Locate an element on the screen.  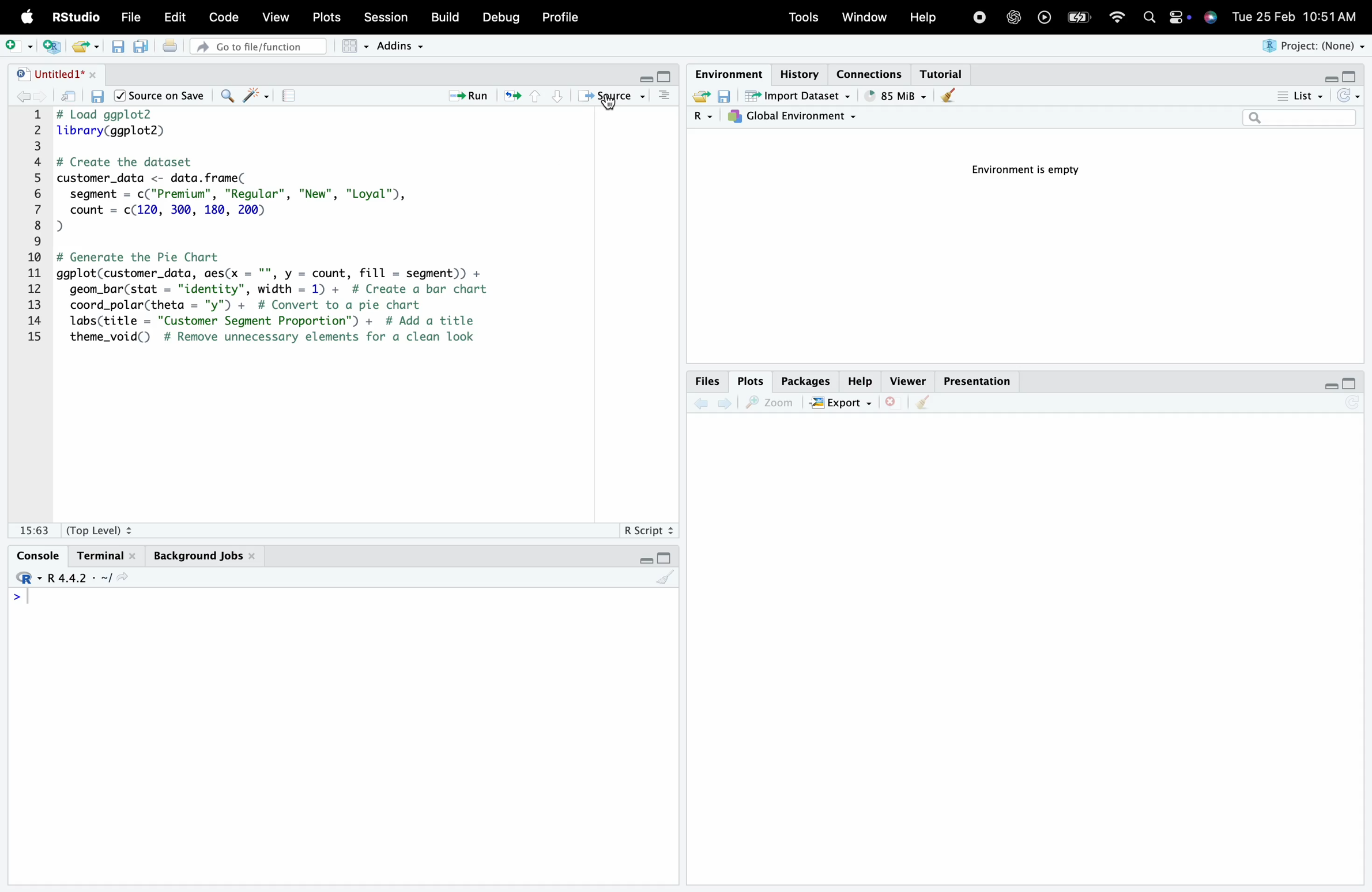
minimise is located at coordinates (640, 74).